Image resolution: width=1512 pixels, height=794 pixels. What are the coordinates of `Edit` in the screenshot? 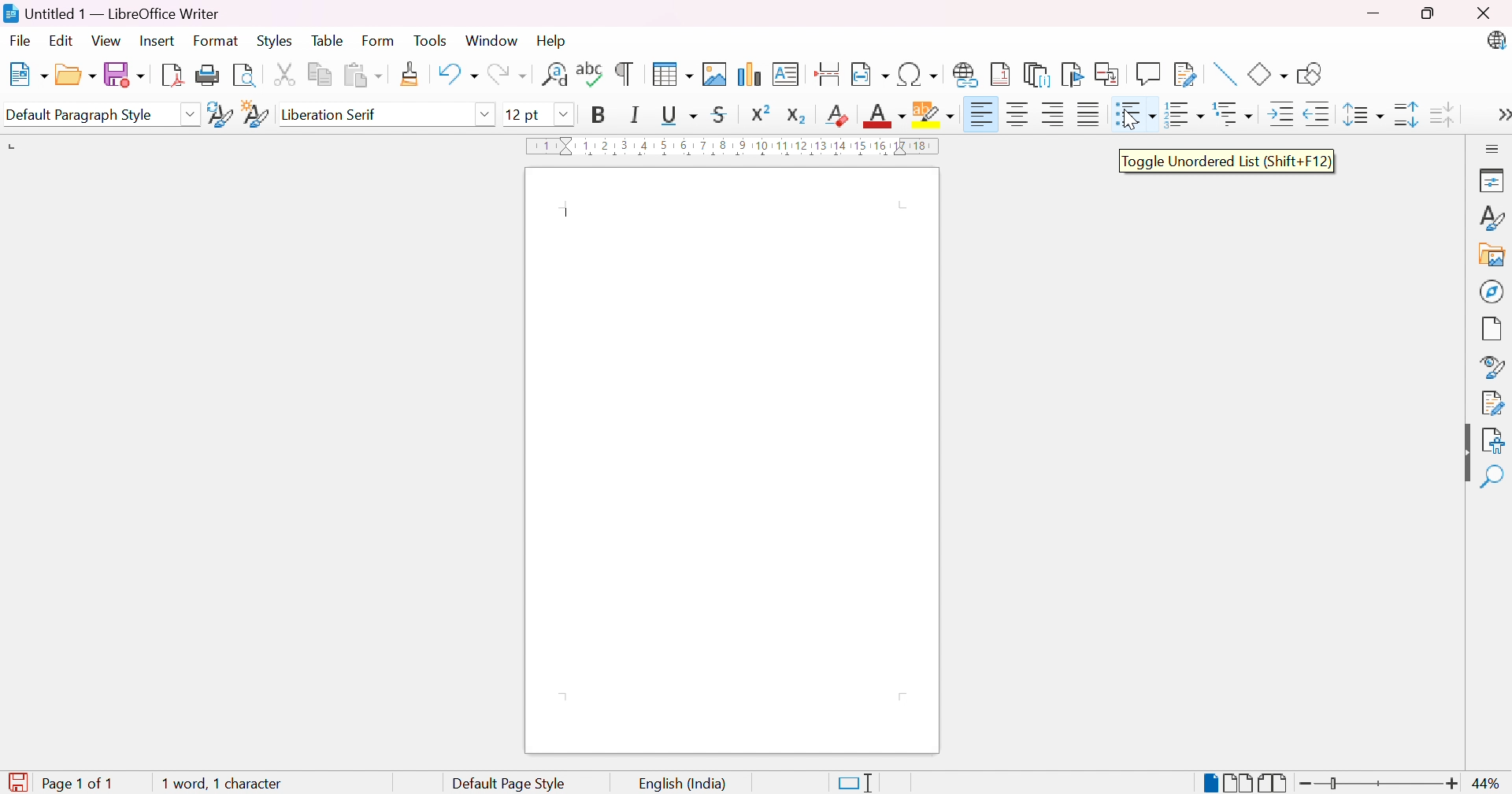 It's located at (64, 43).